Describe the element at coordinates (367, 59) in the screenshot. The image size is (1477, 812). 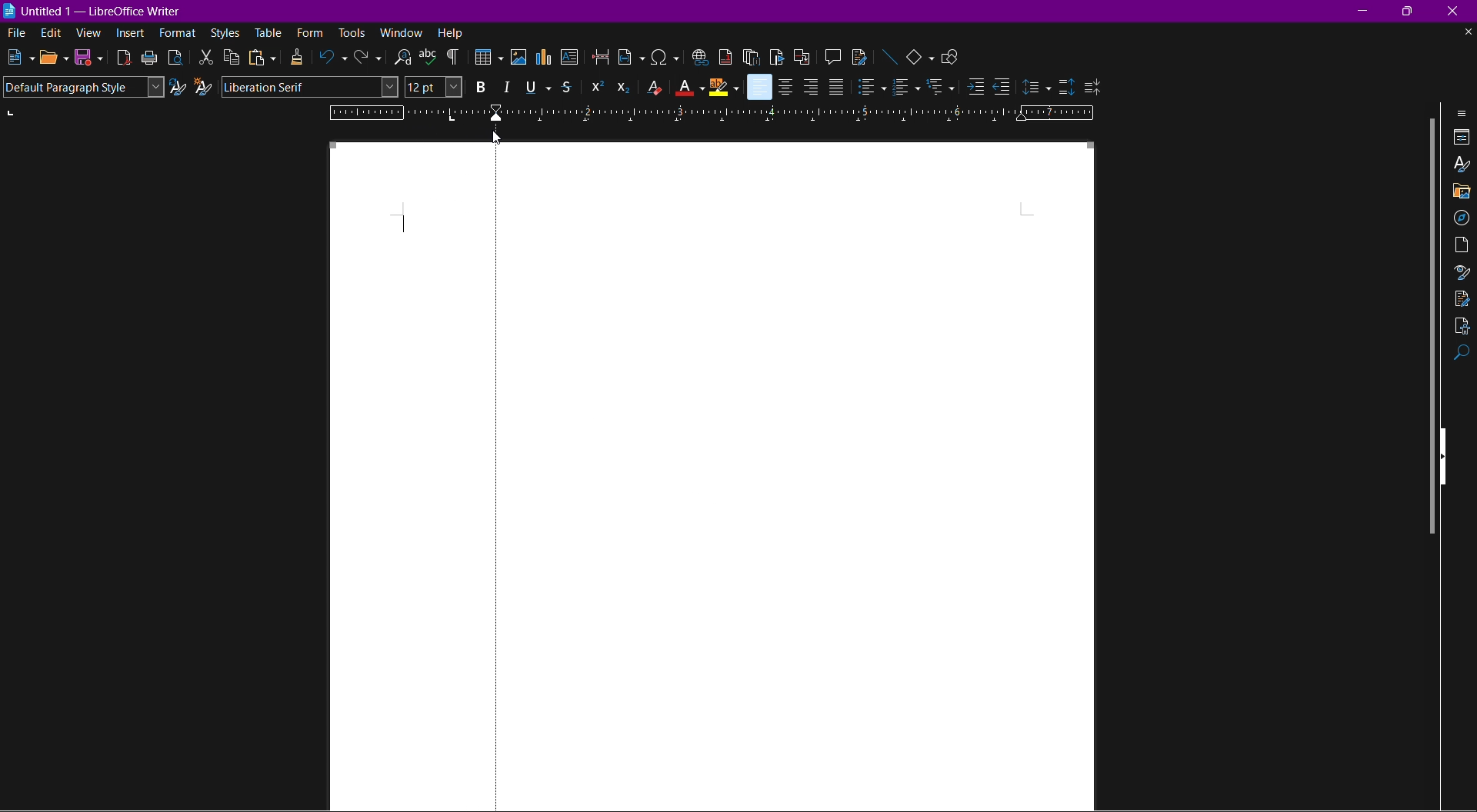
I see `Redo` at that location.